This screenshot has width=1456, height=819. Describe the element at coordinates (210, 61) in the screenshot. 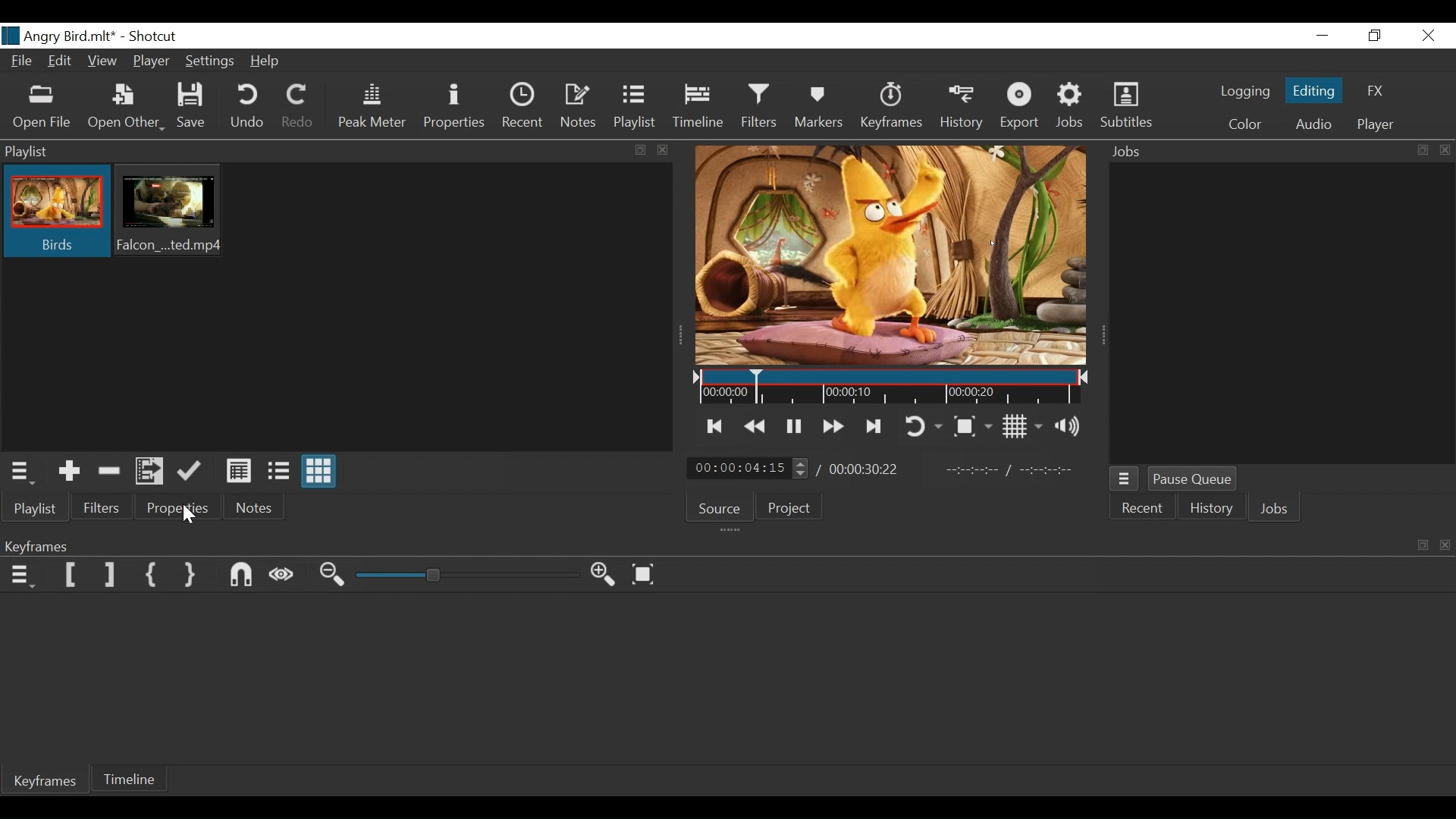

I see `Settings` at that location.